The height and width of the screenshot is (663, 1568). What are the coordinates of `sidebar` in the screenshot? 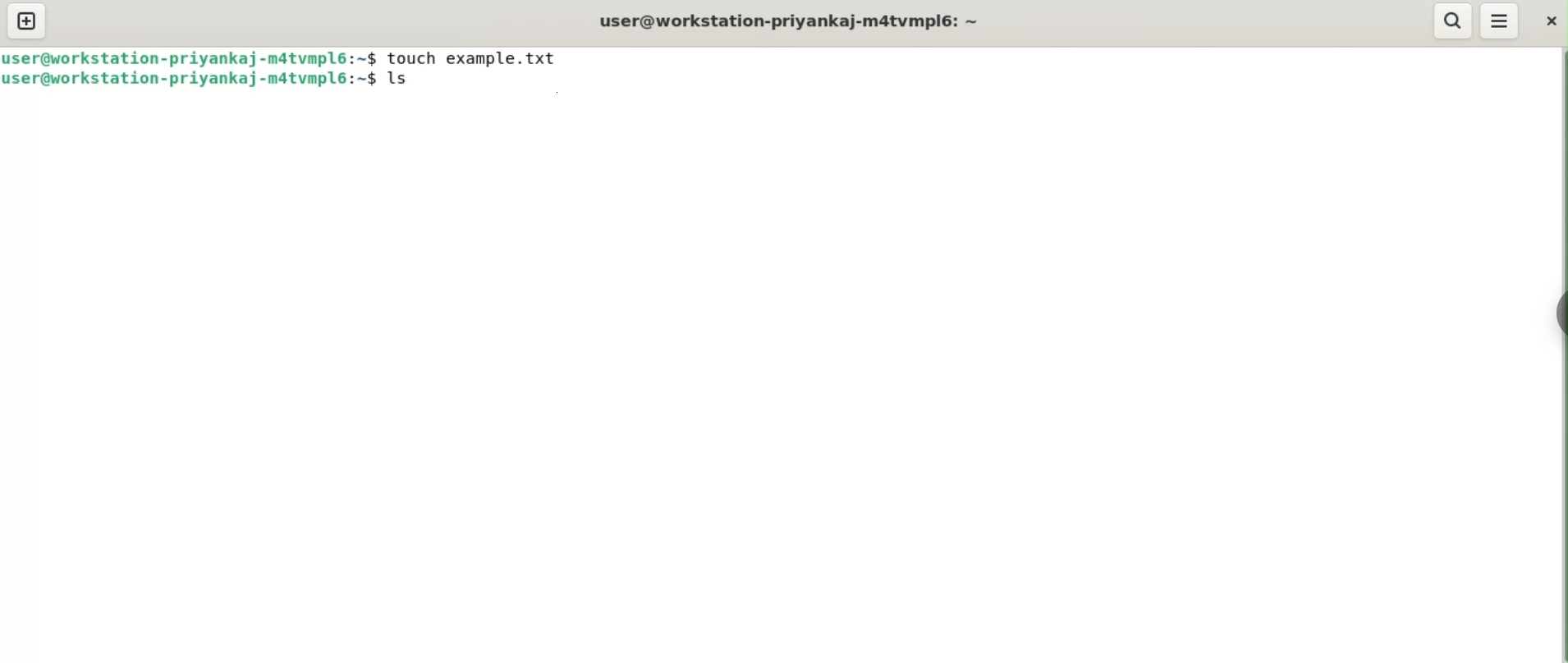 It's located at (1556, 313).